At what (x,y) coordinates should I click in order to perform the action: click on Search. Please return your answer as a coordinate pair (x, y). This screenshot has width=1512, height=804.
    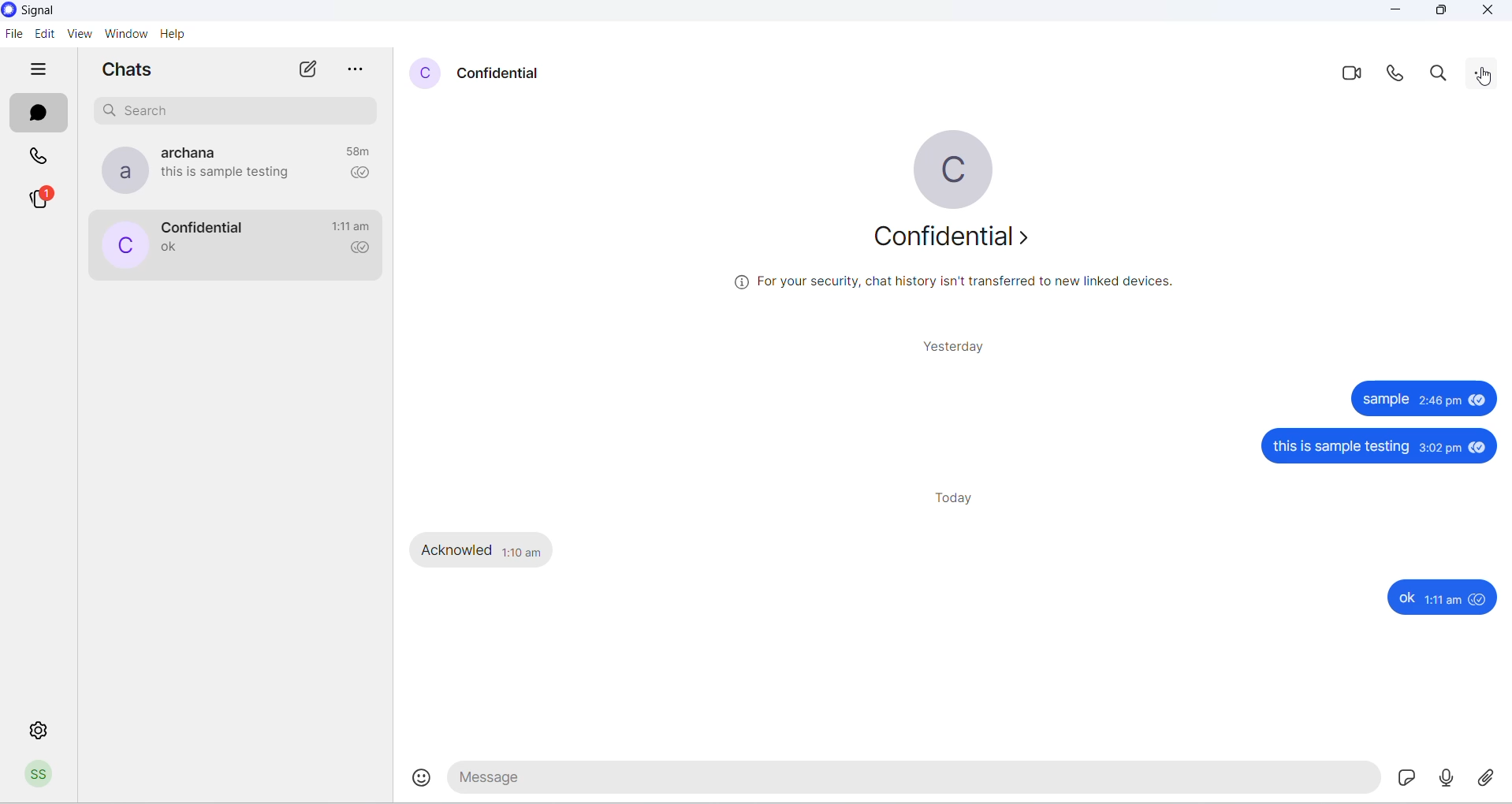
    Looking at the image, I should click on (239, 111).